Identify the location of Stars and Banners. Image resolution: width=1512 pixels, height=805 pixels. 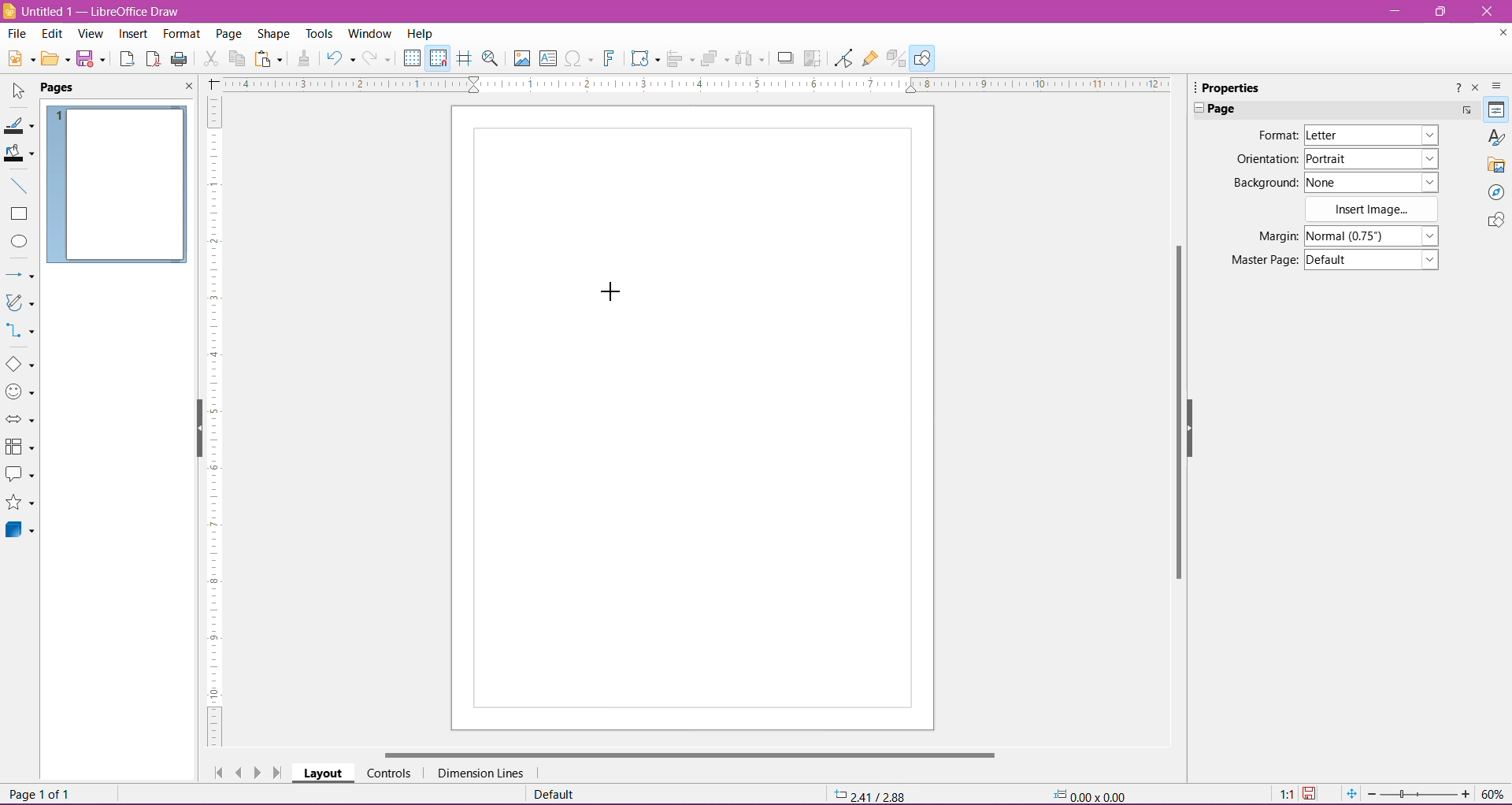
(20, 504).